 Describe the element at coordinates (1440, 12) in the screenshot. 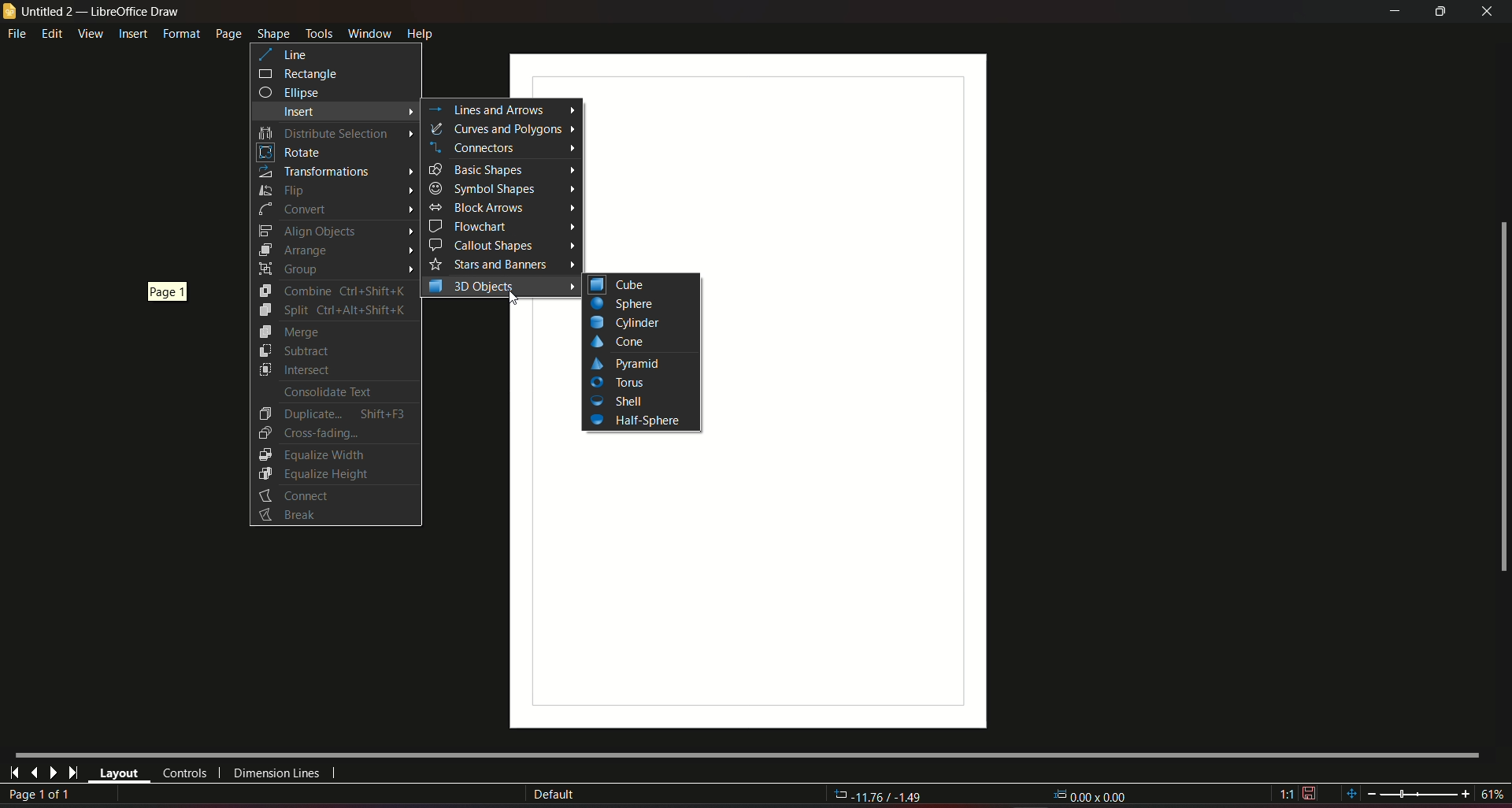

I see `minimize/maximize` at that location.